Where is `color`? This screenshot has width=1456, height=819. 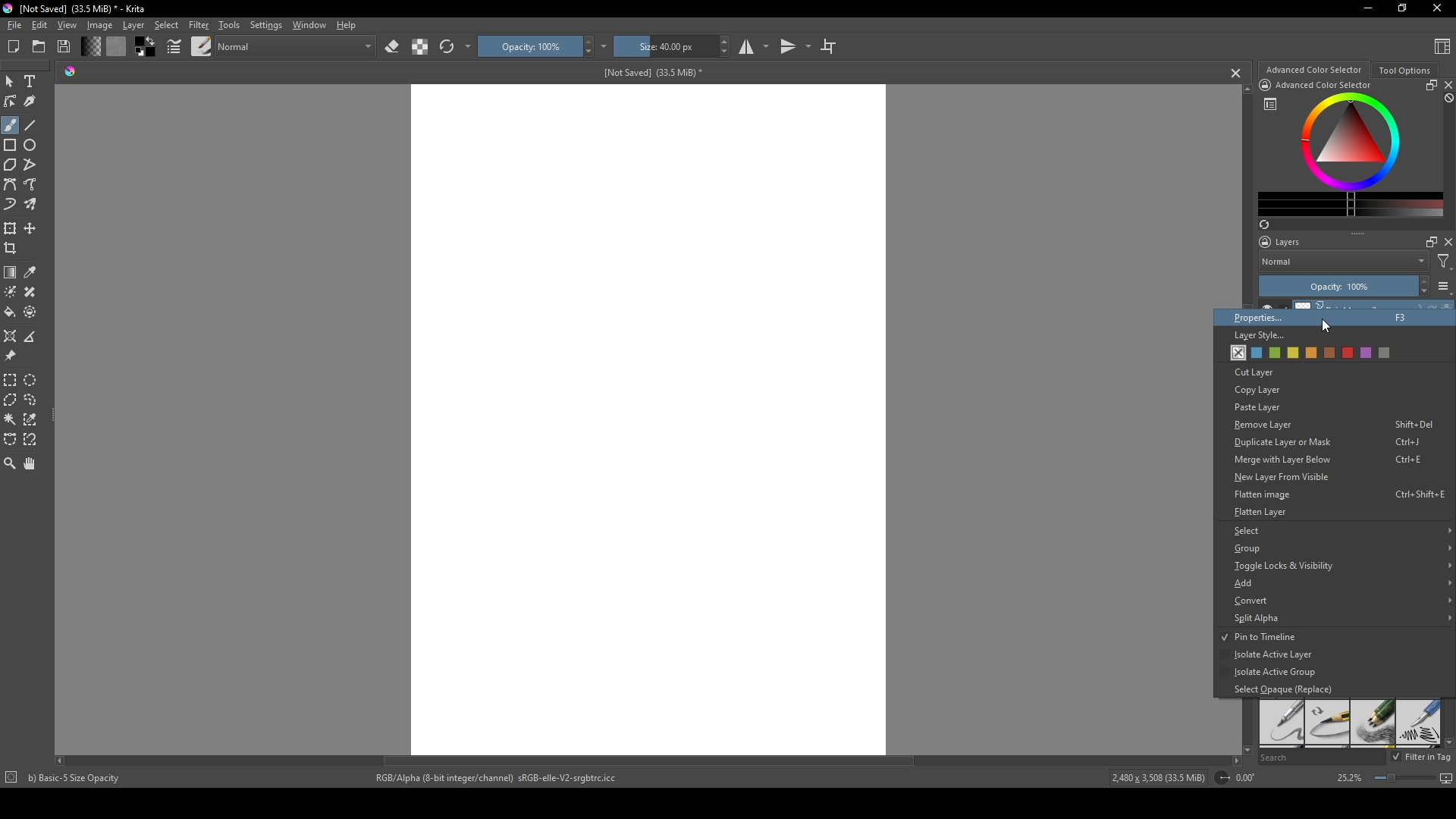 color is located at coordinates (115, 46).